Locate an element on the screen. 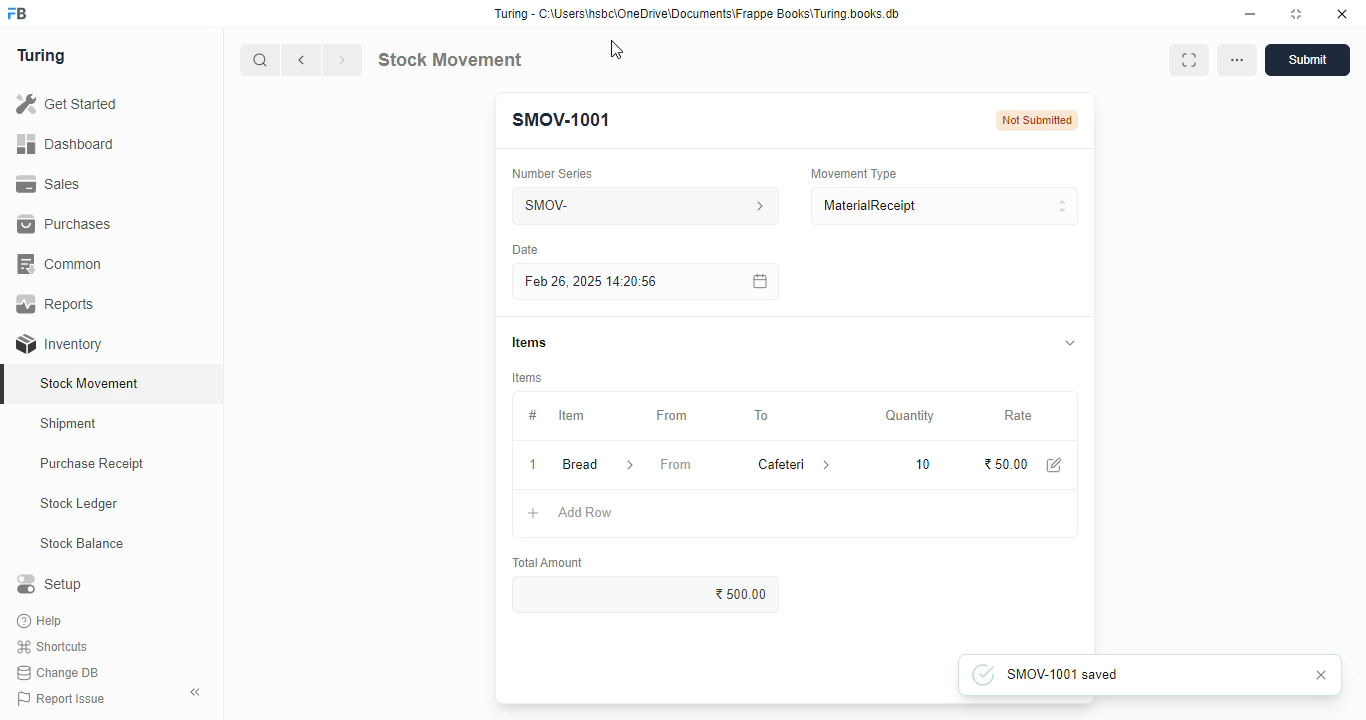 The width and height of the screenshot is (1366, 720). items is located at coordinates (528, 378).